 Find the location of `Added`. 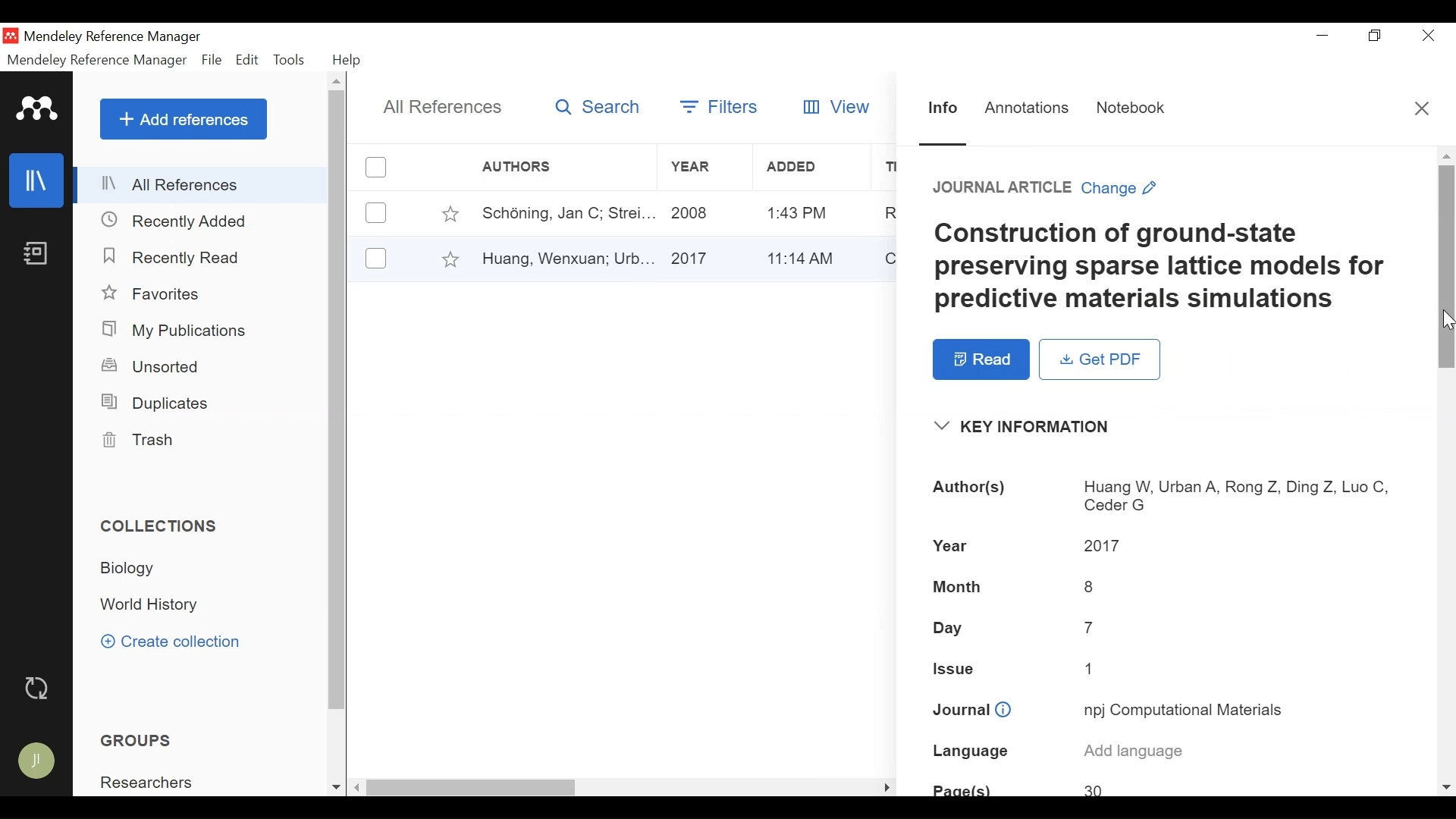

Added is located at coordinates (808, 212).